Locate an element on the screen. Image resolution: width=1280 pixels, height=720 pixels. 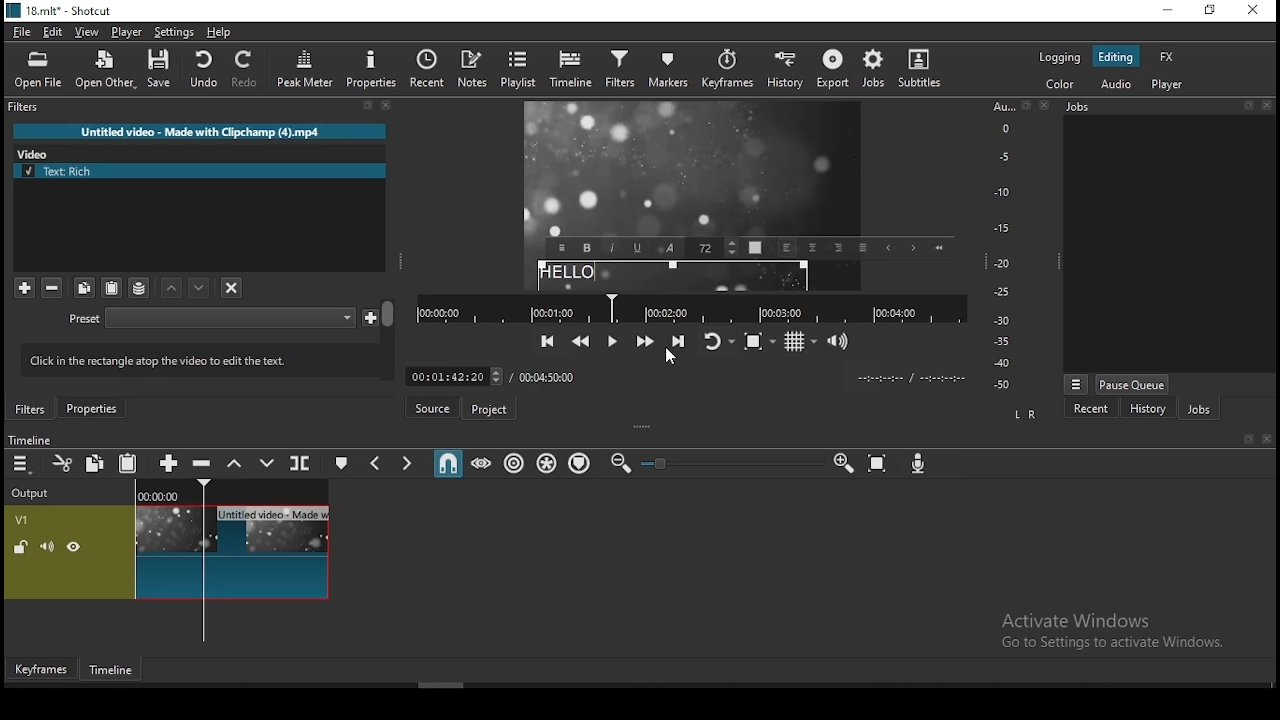
notes is located at coordinates (473, 70).